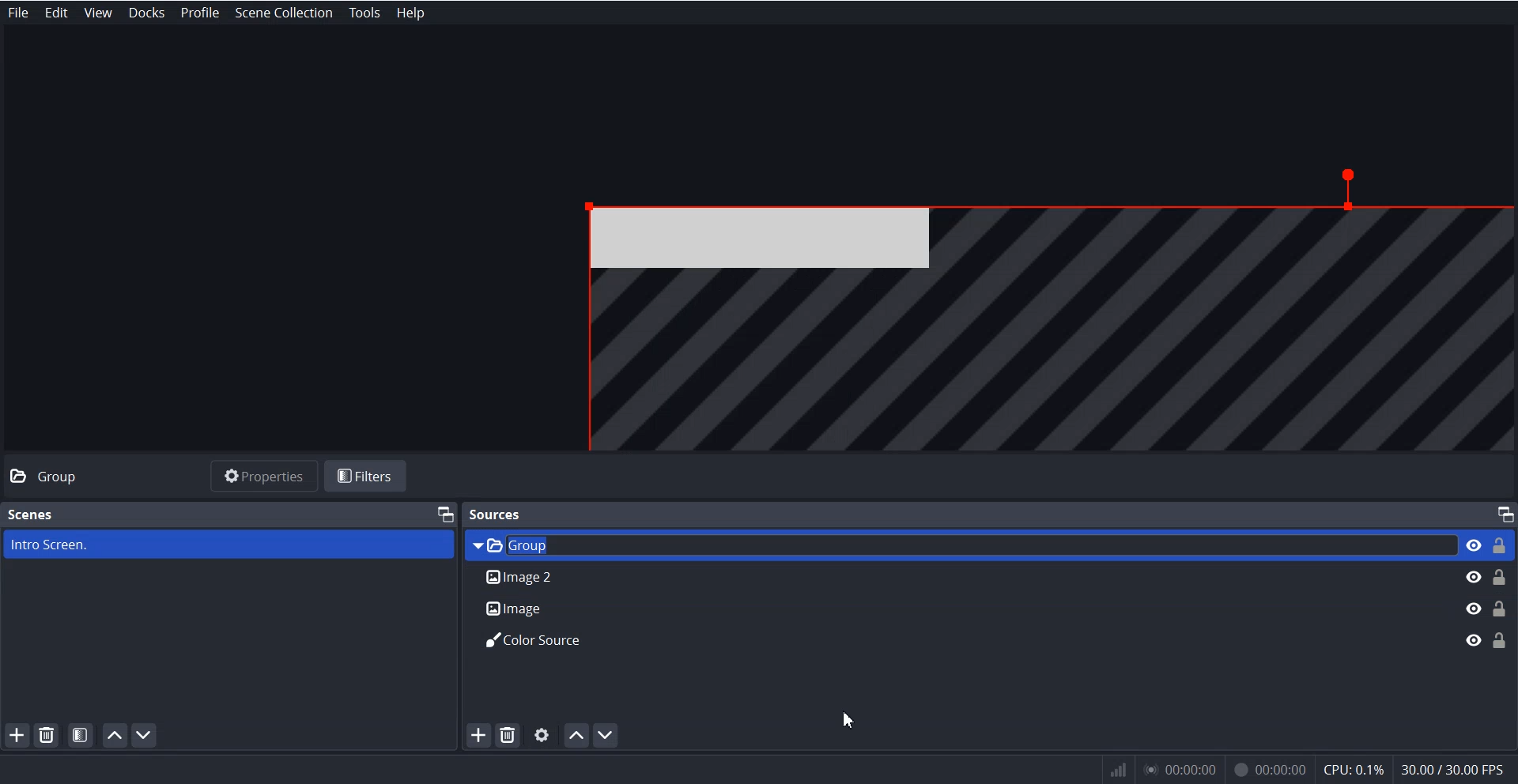 The image size is (1518, 784). I want to click on Move Scene down, so click(609, 735).